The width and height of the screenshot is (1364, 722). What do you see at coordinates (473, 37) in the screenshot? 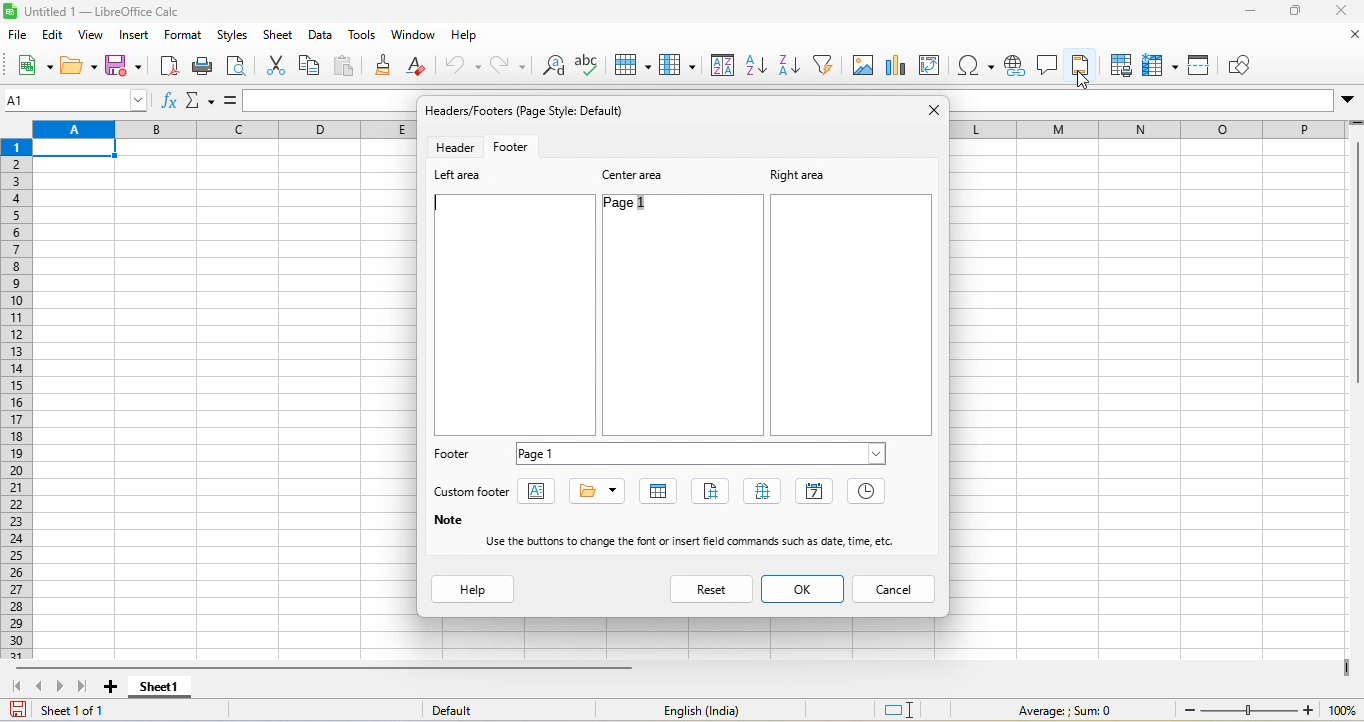
I see `help` at bounding box center [473, 37].